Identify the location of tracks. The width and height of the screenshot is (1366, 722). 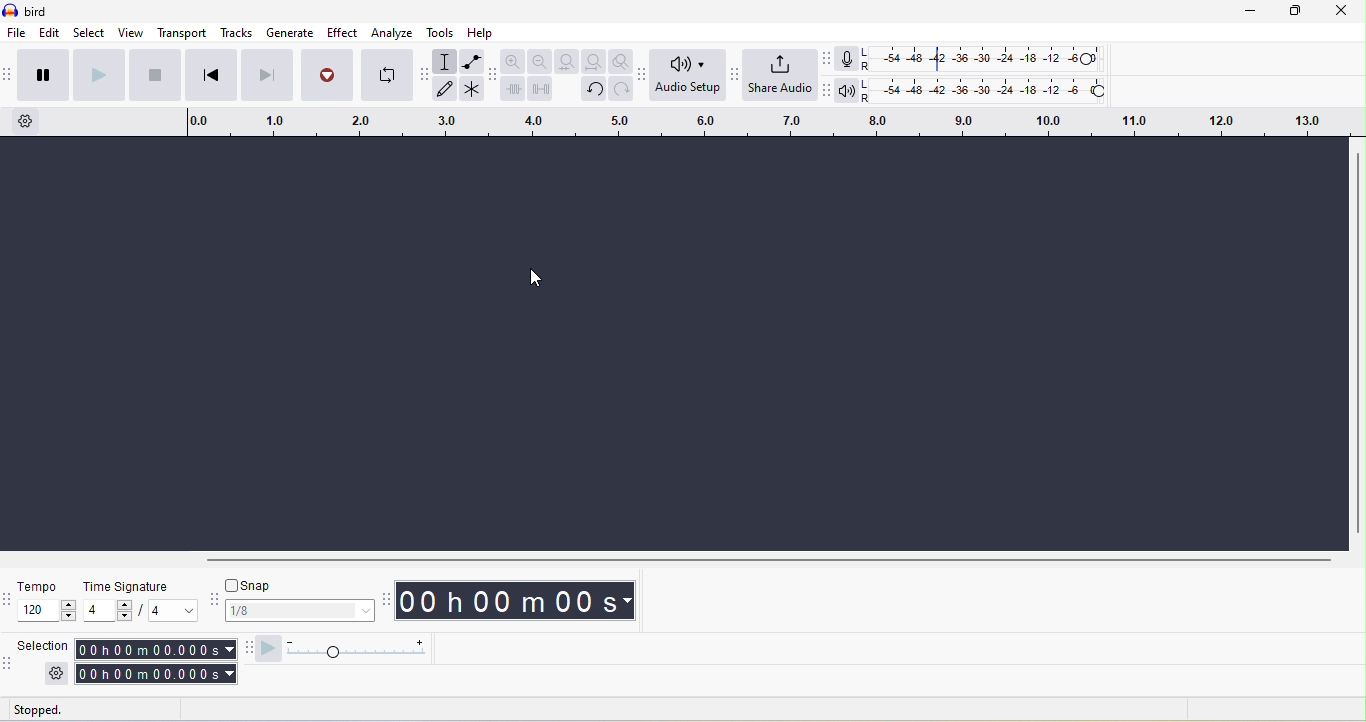
(236, 33).